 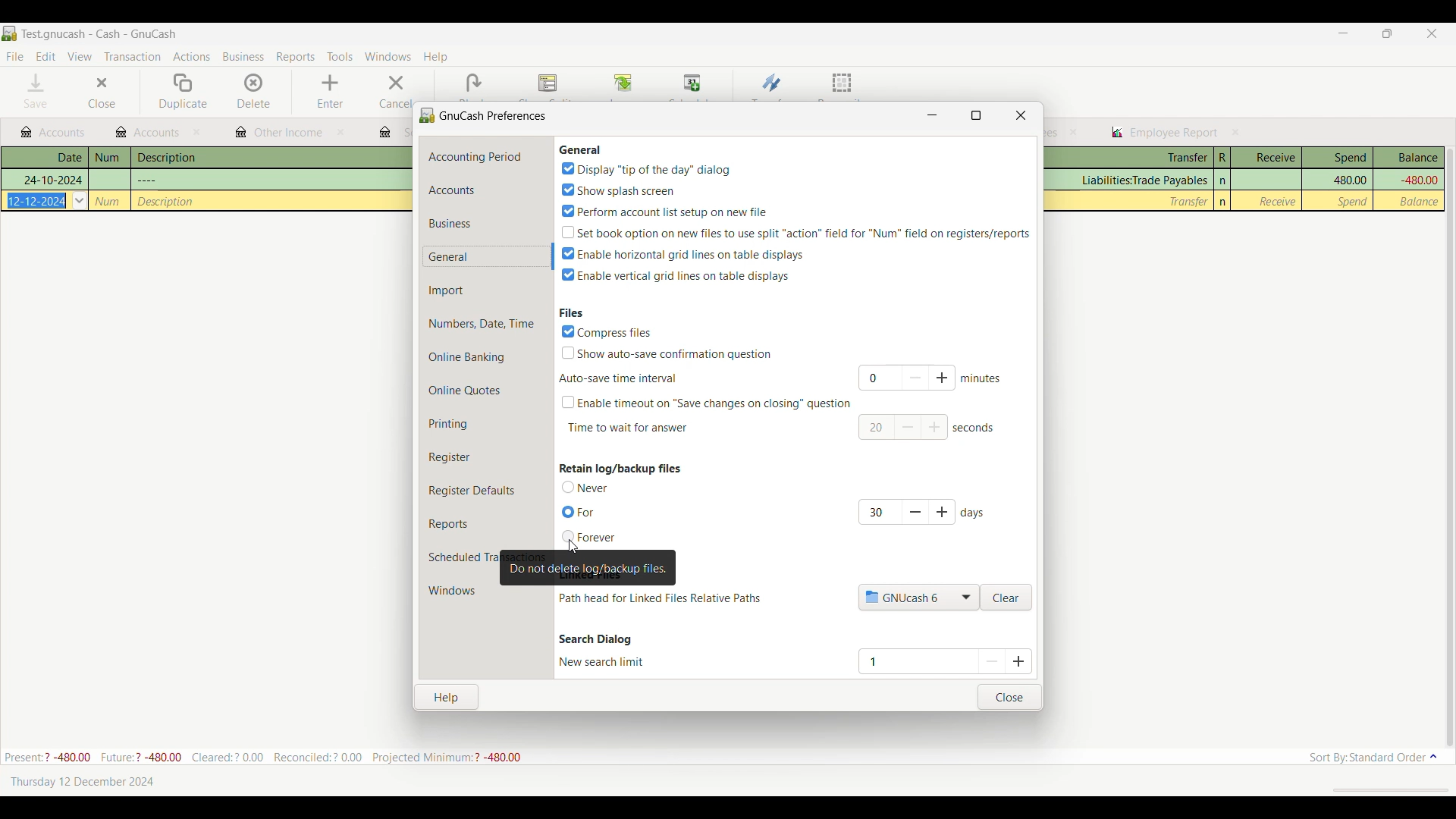 I want to click on Subtract , so click(x=914, y=377).